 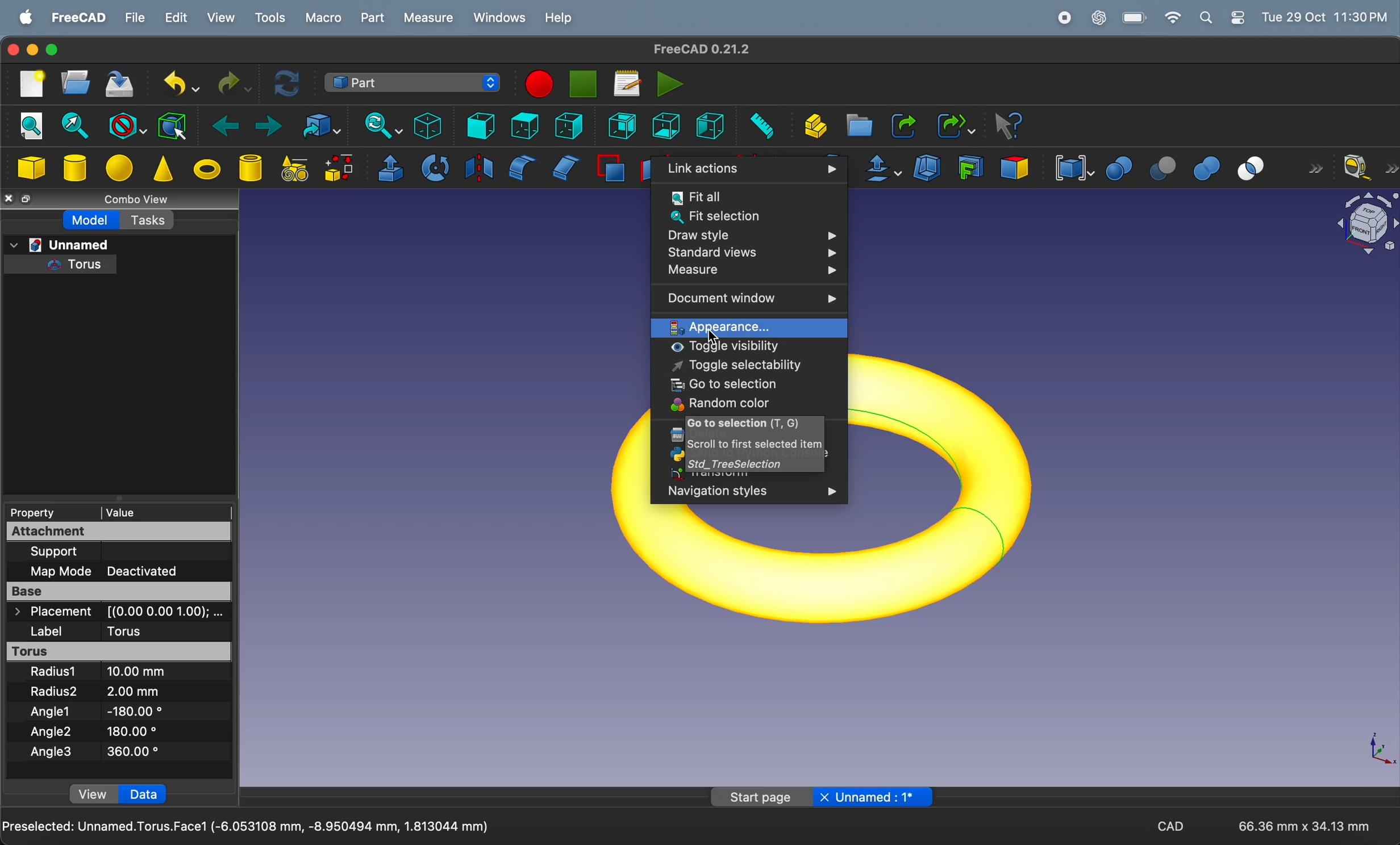 I want to click on toggle visibility, so click(x=731, y=346).